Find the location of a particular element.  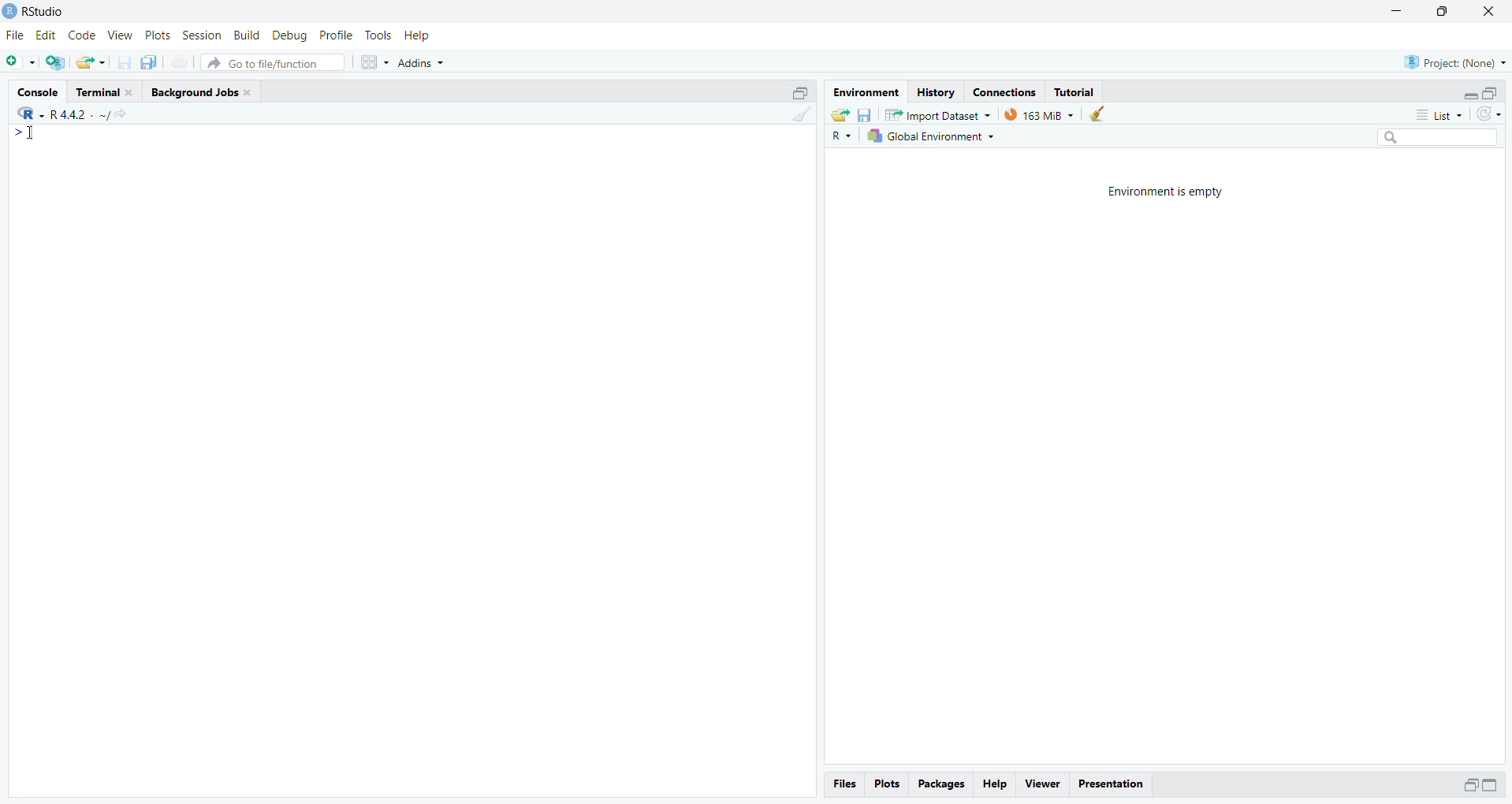

close is located at coordinates (248, 92).